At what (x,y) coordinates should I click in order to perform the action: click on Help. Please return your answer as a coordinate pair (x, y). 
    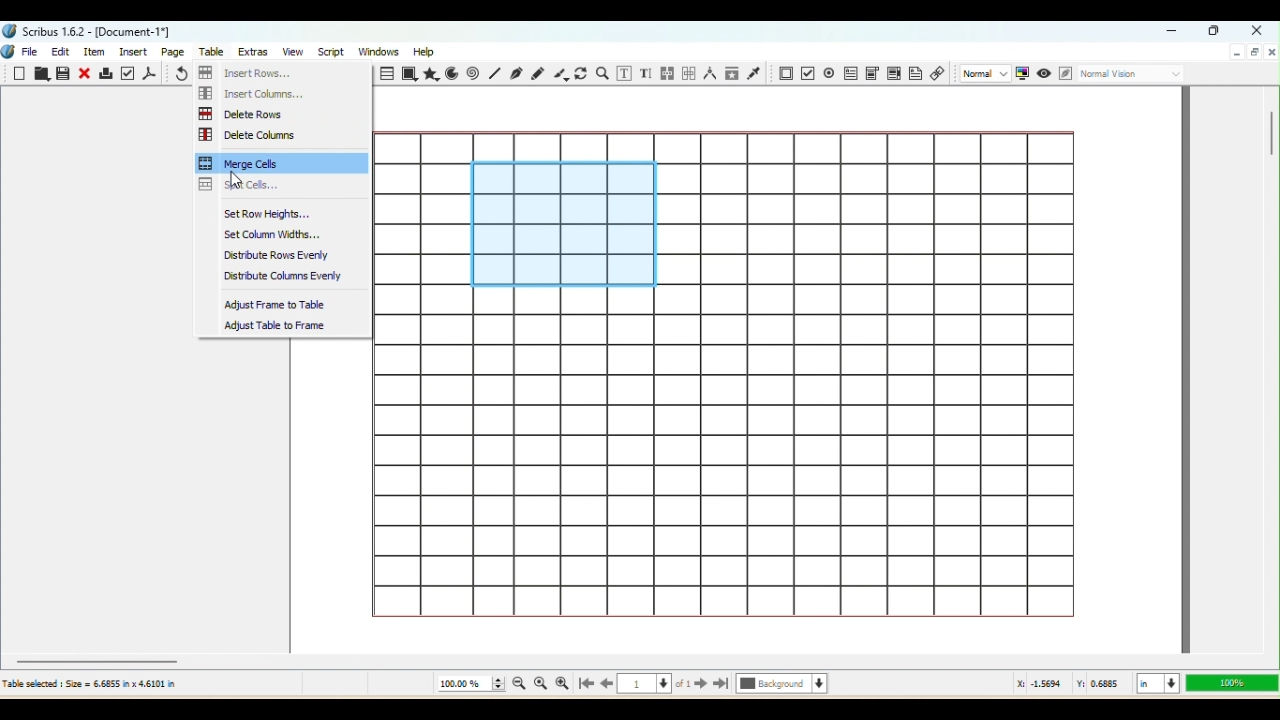
    Looking at the image, I should click on (426, 50).